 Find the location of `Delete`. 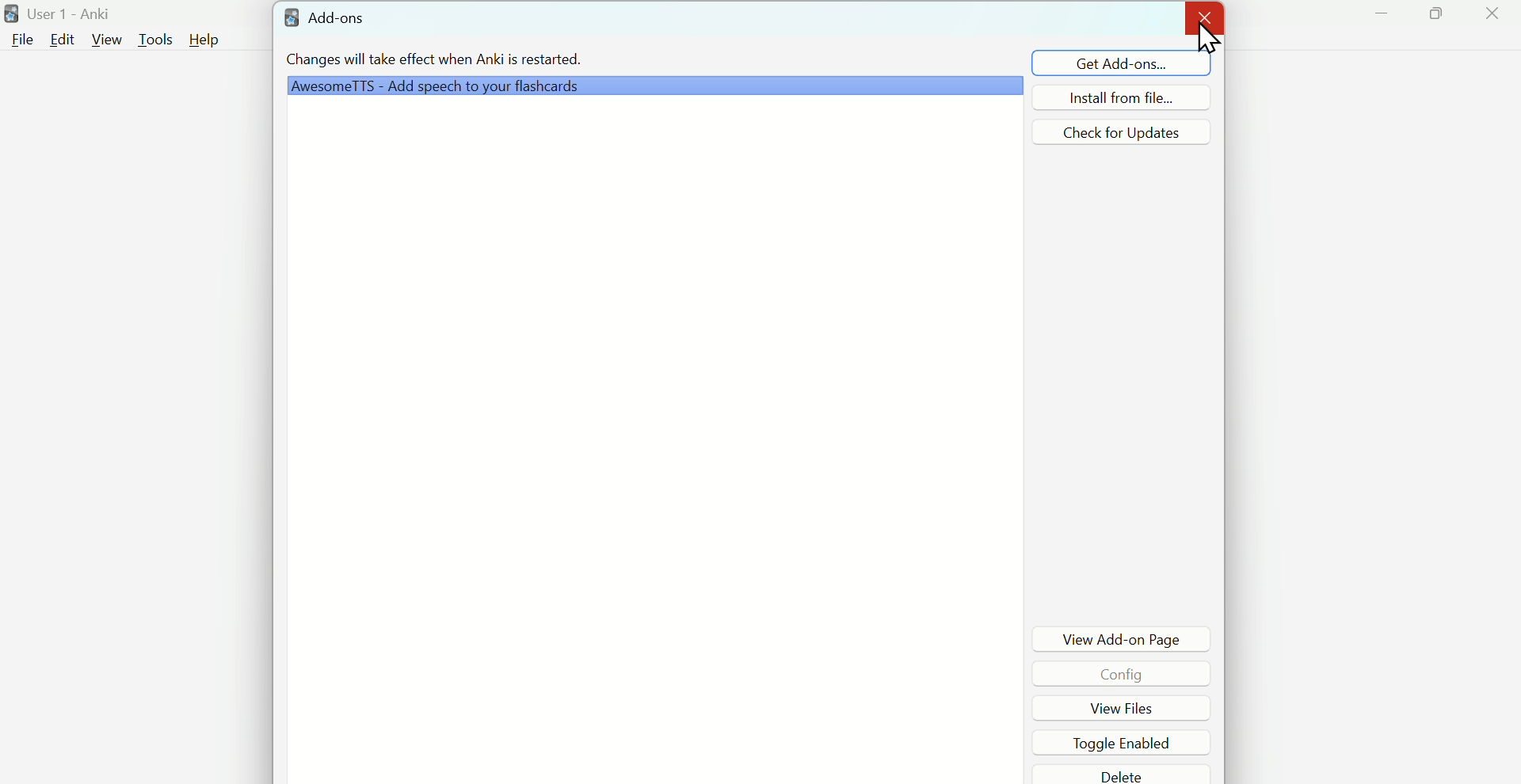

Delete is located at coordinates (1123, 777).